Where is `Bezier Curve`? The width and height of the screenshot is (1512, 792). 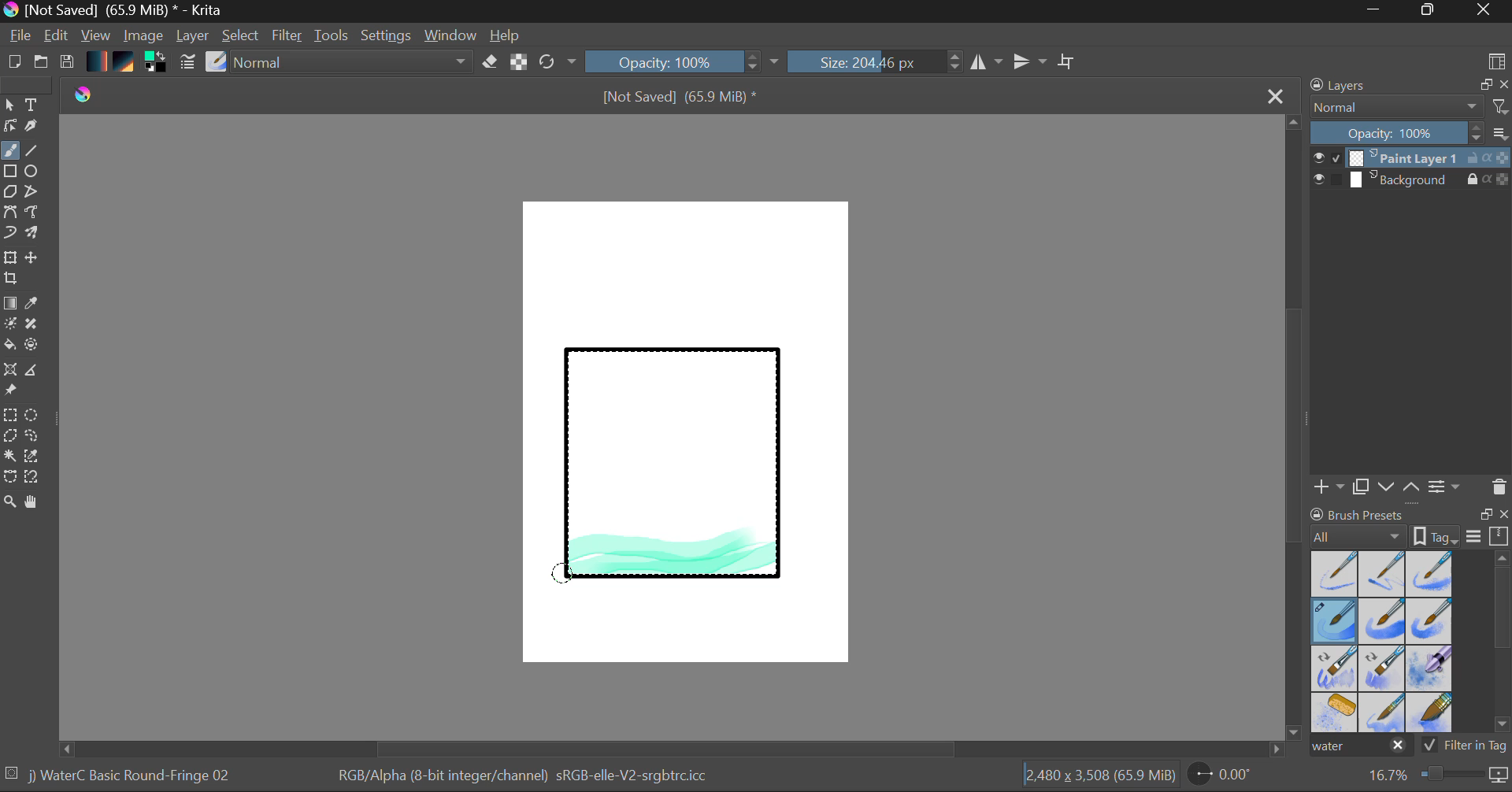
Bezier Curve is located at coordinates (9, 213).